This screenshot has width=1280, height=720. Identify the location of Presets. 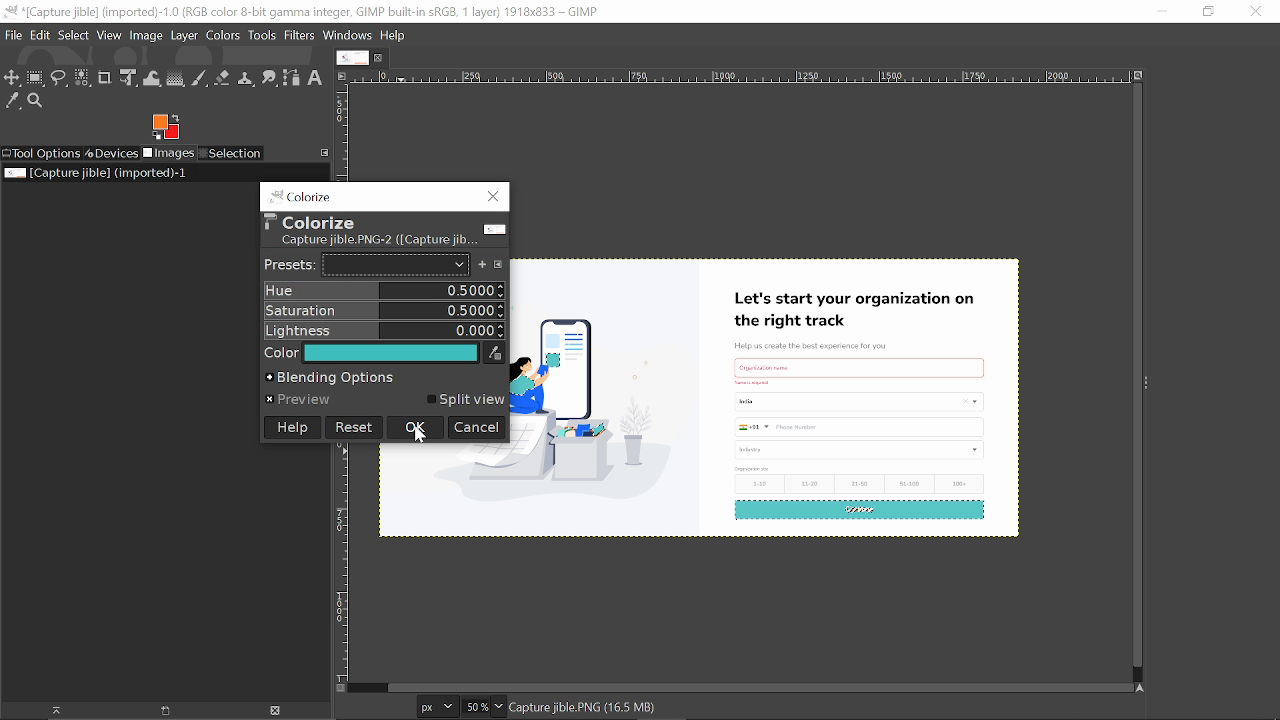
(367, 265).